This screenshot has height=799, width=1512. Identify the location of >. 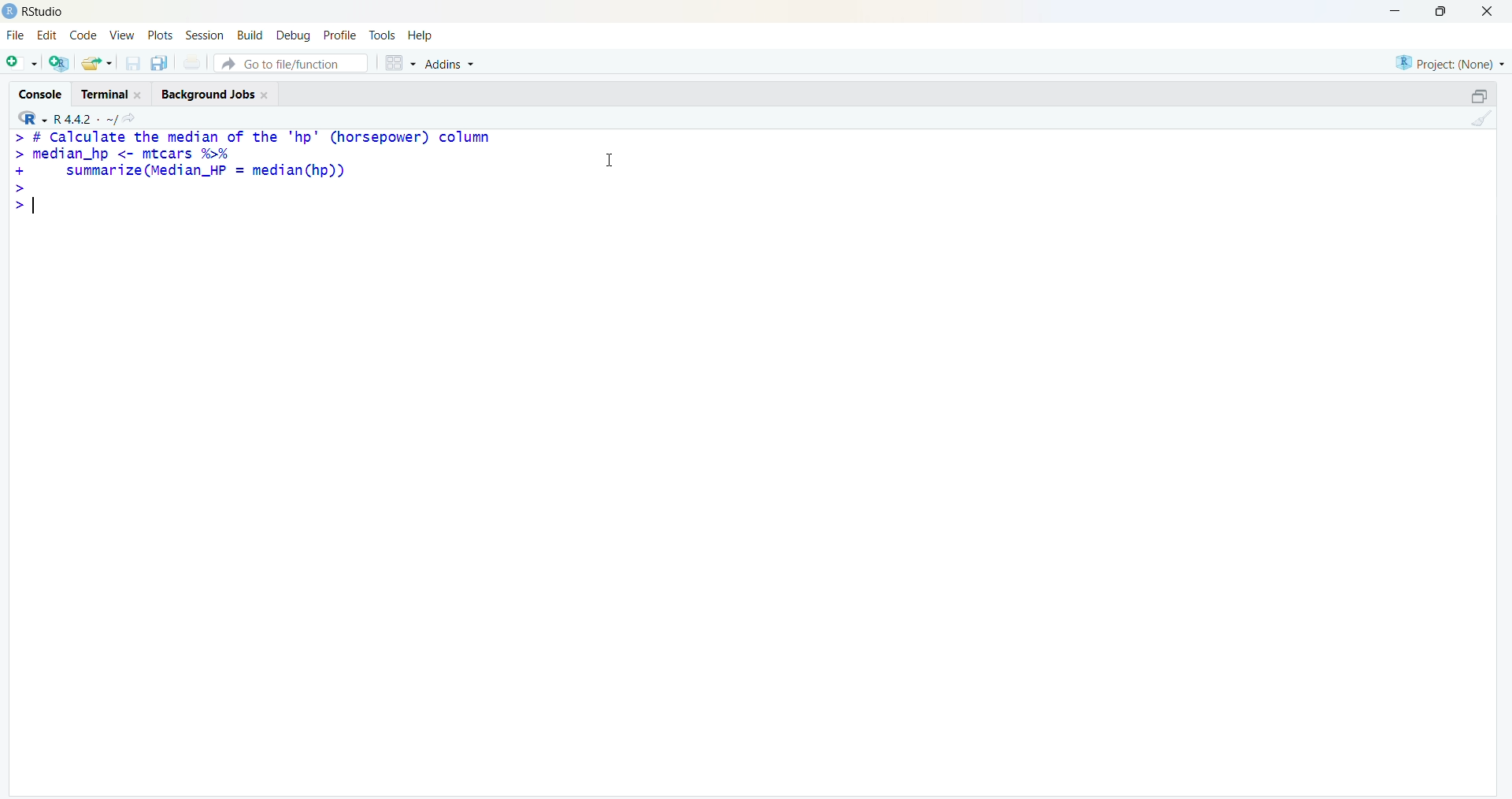
(20, 203).